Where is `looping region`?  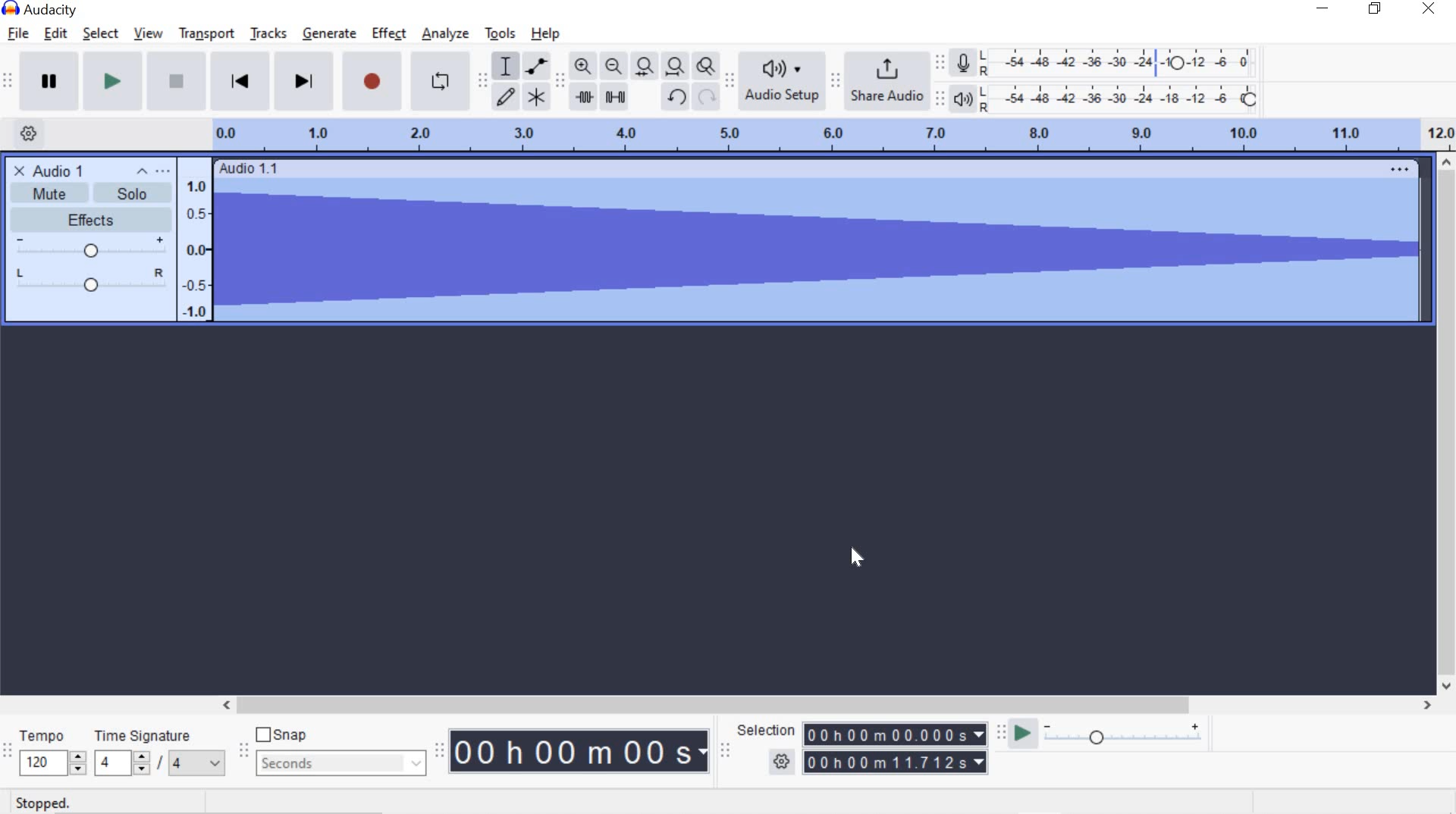
looping region is located at coordinates (833, 136).